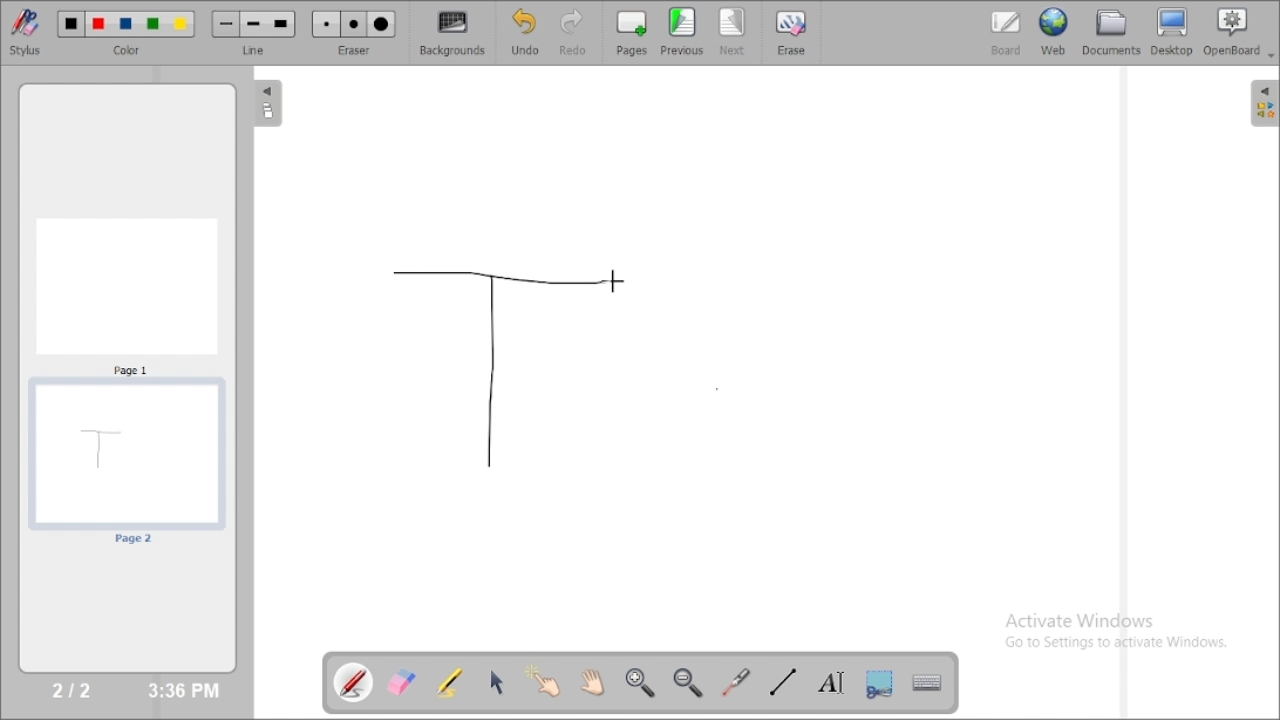 This screenshot has height=720, width=1280. What do you see at coordinates (1239, 33) in the screenshot?
I see `openboard` at bounding box center [1239, 33].